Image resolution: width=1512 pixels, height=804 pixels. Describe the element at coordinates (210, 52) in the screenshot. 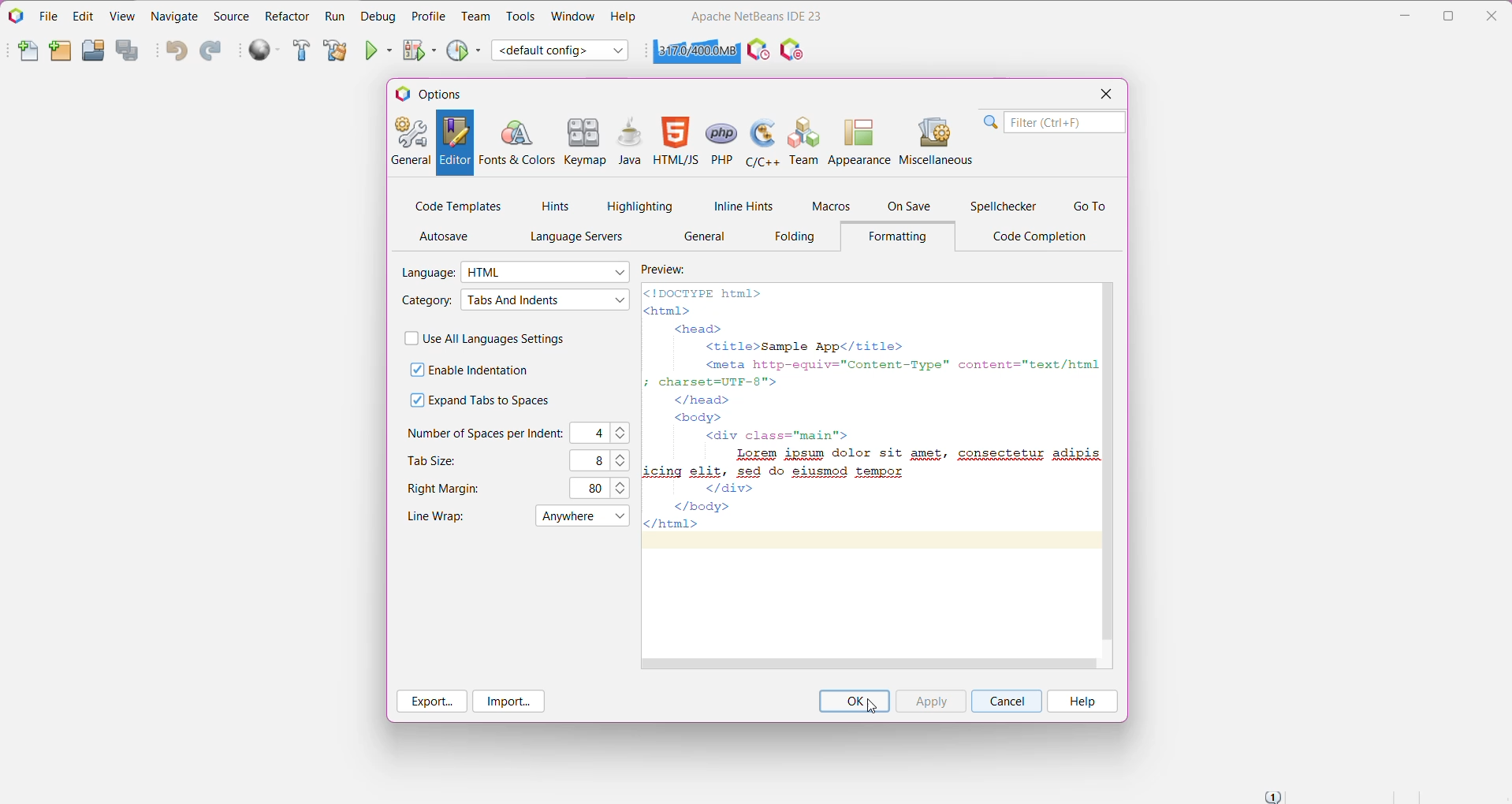

I see `Redo` at that location.